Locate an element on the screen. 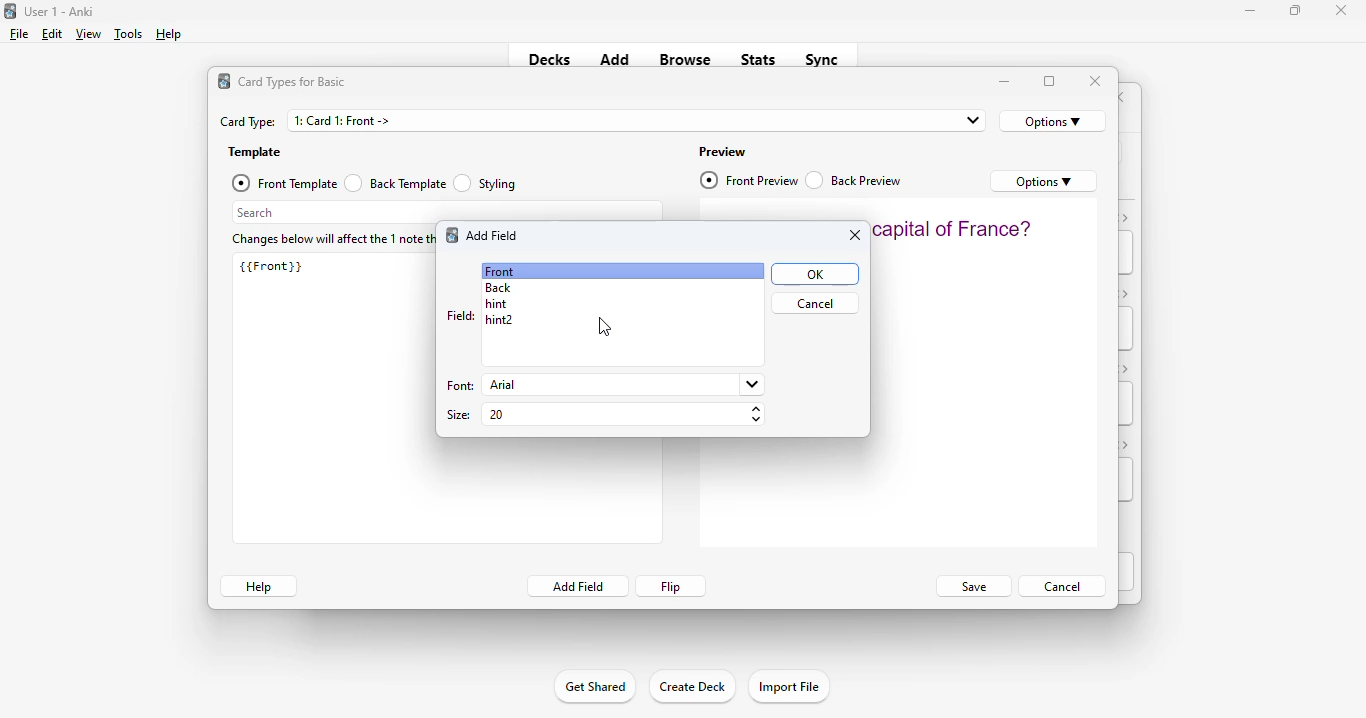  field: is located at coordinates (460, 315).